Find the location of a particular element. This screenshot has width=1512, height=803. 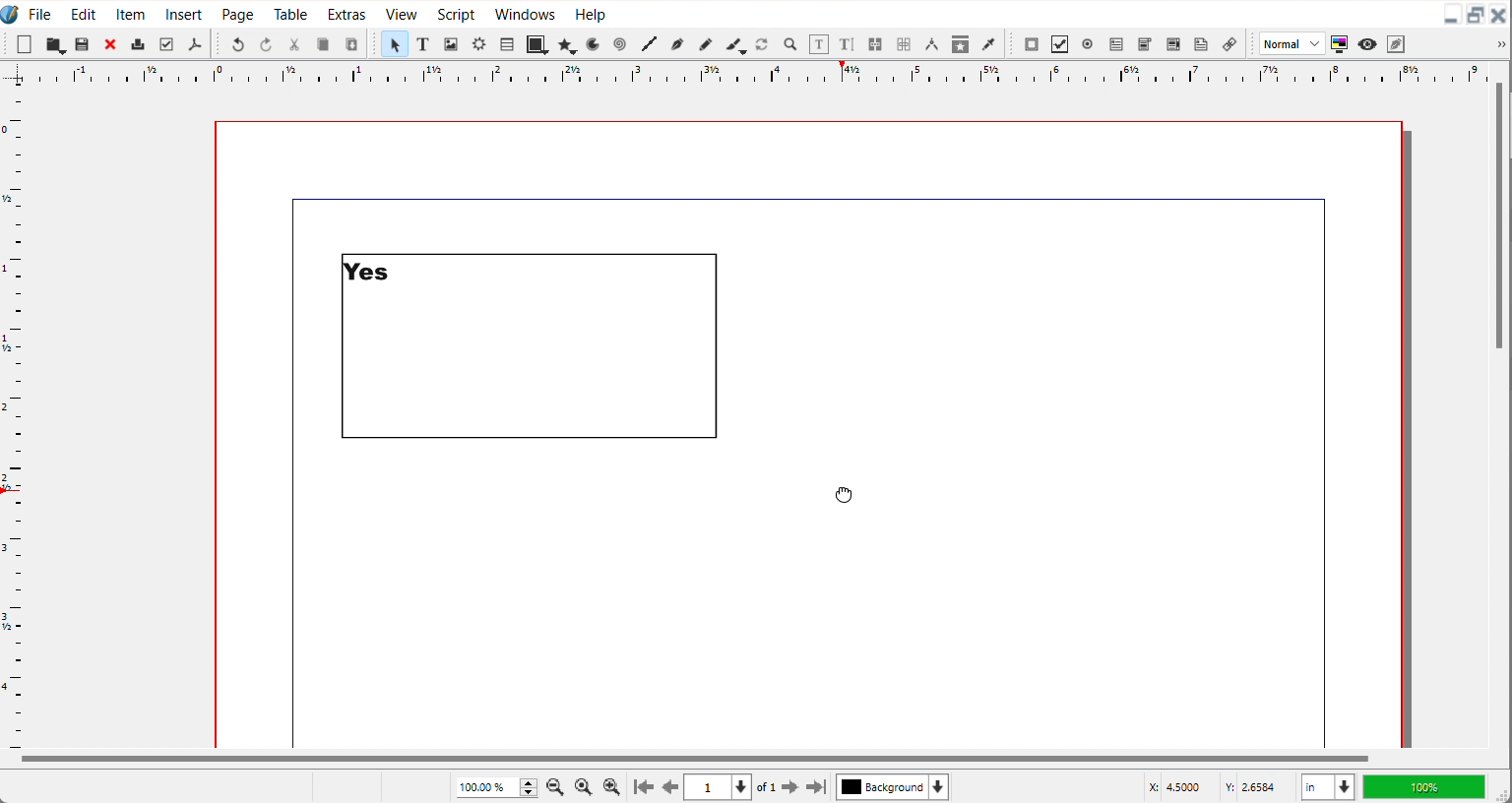

Select current page is located at coordinates (718, 787).